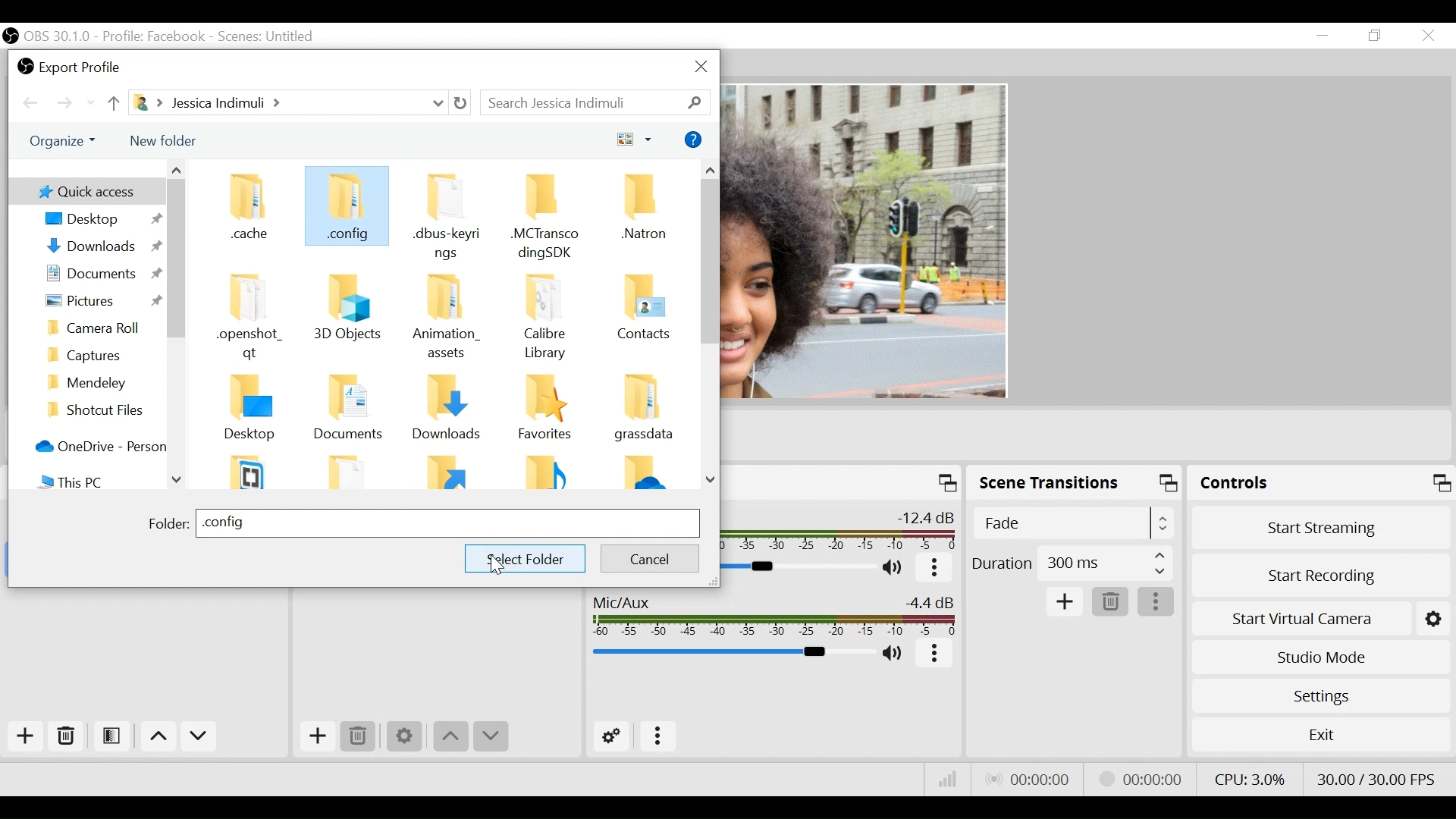 Image resolution: width=1456 pixels, height=819 pixels. What do you see at coordinates (449, 411) in the screenshot?
I see `Folder` at bounding box center [449, 411].